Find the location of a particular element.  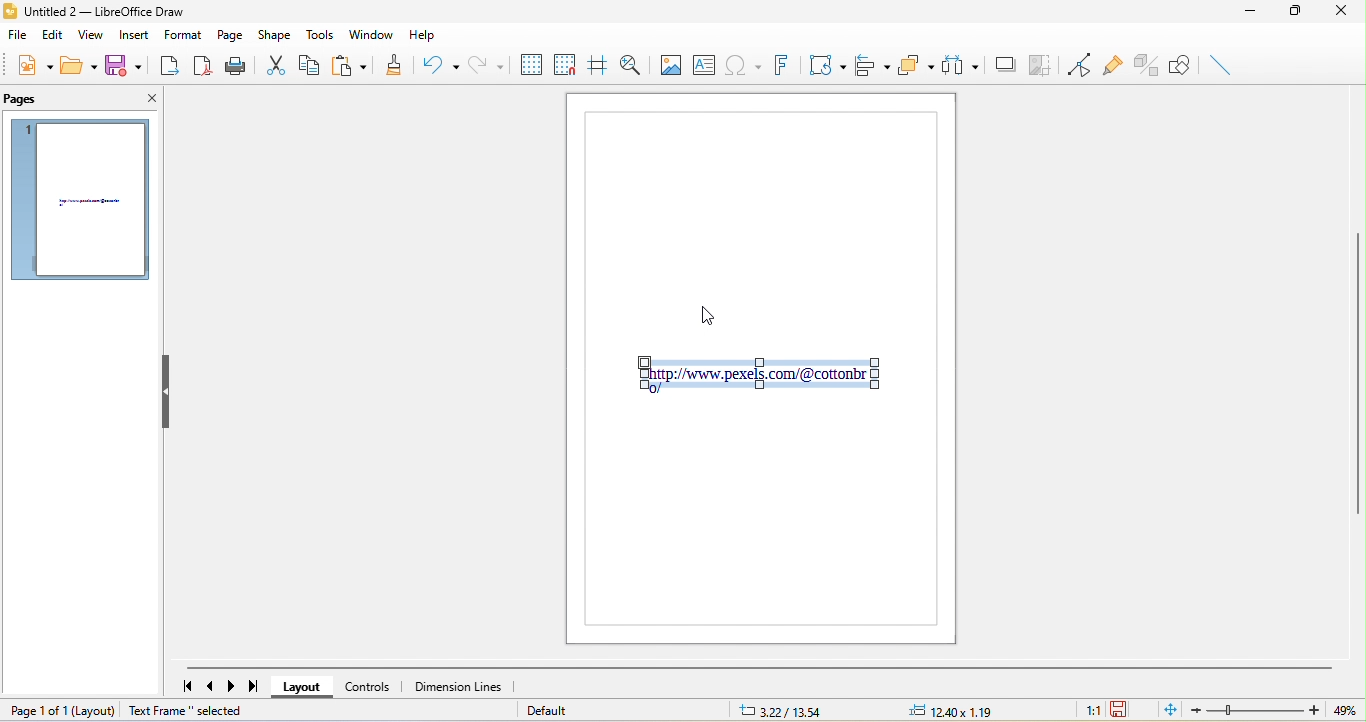

paste is located at coordinates (355, 65).